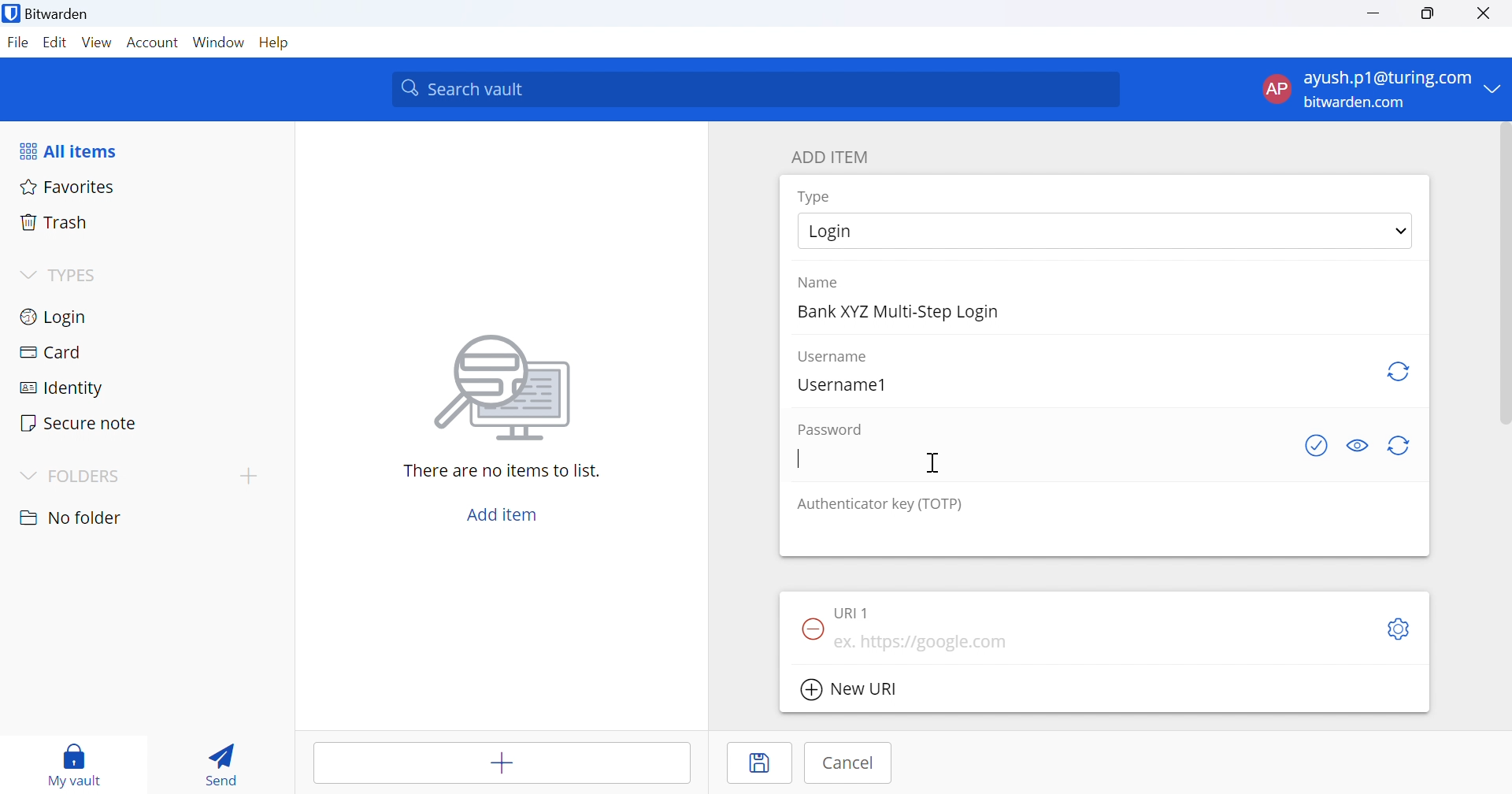 The image size is (1512, 794). I want to click on Cancel, so click(847, 763).